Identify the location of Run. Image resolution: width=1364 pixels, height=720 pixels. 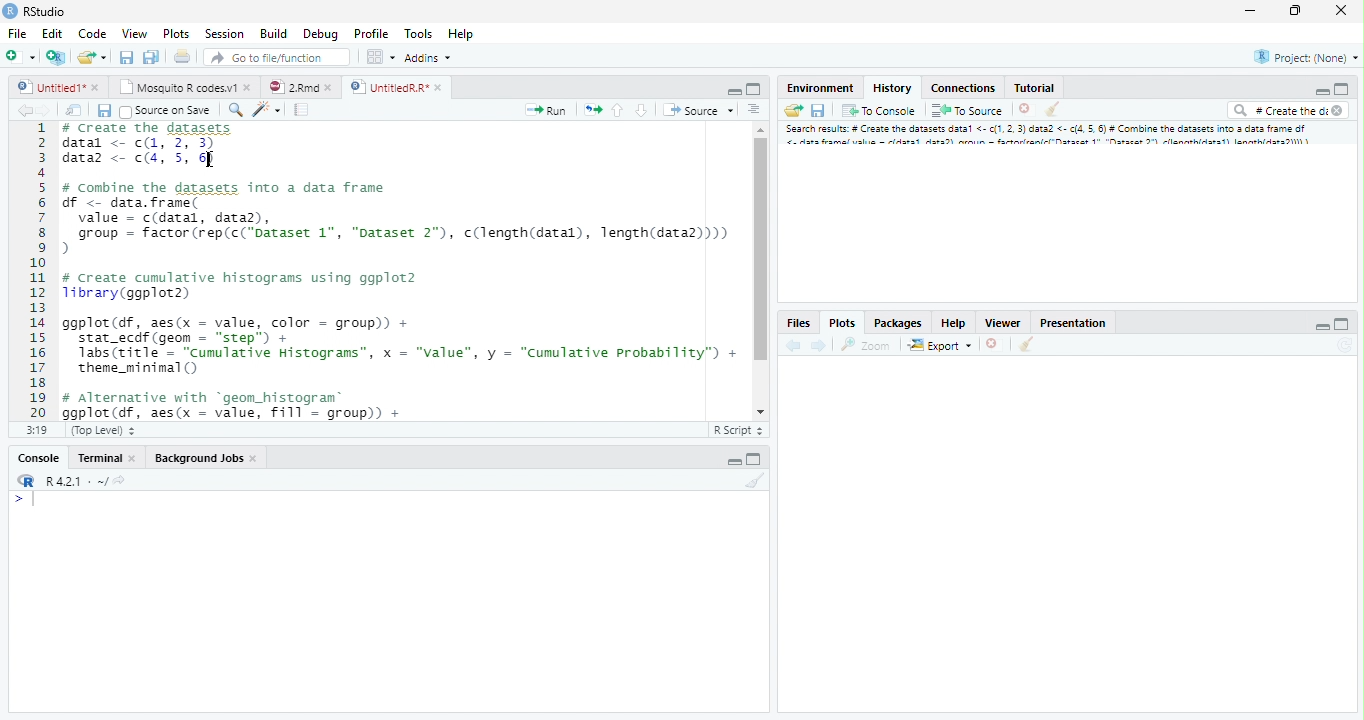
(546, 110).